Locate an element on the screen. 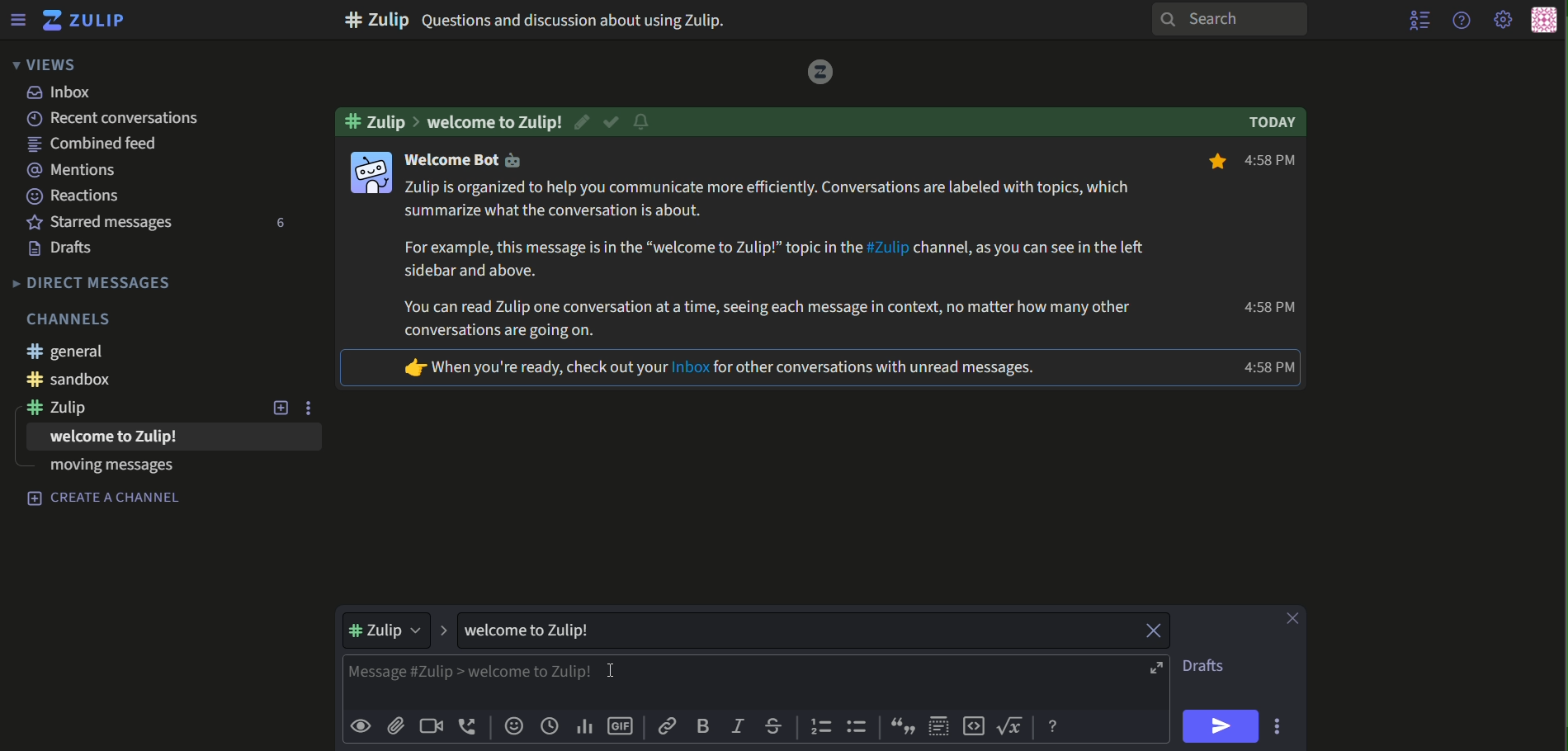 The width and height of the screenshot is (1568, 751). number is located at coordinates (276, 224).